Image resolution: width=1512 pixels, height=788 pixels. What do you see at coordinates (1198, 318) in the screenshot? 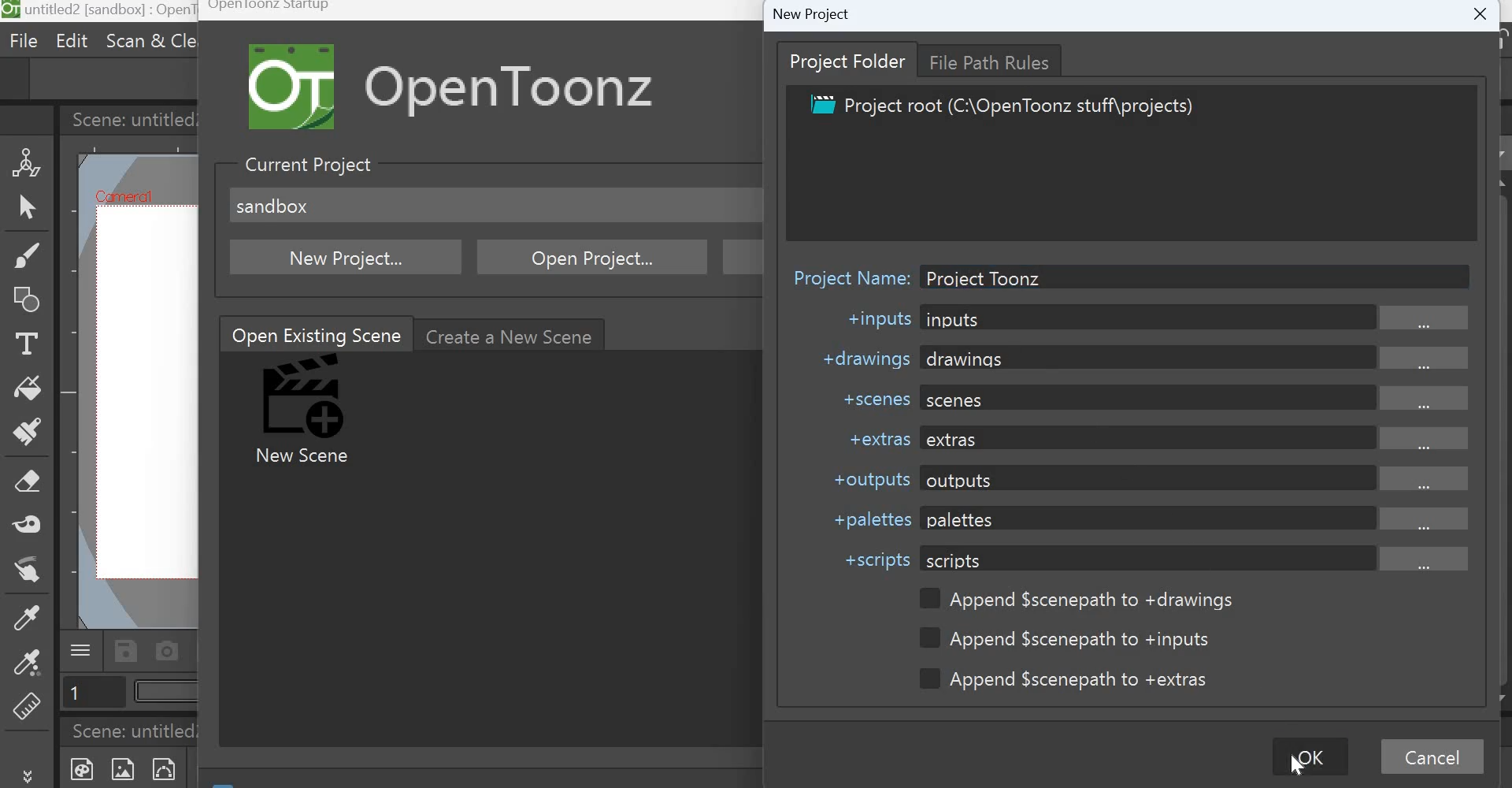
I see `inputs` at bounding box center [1198, 318].